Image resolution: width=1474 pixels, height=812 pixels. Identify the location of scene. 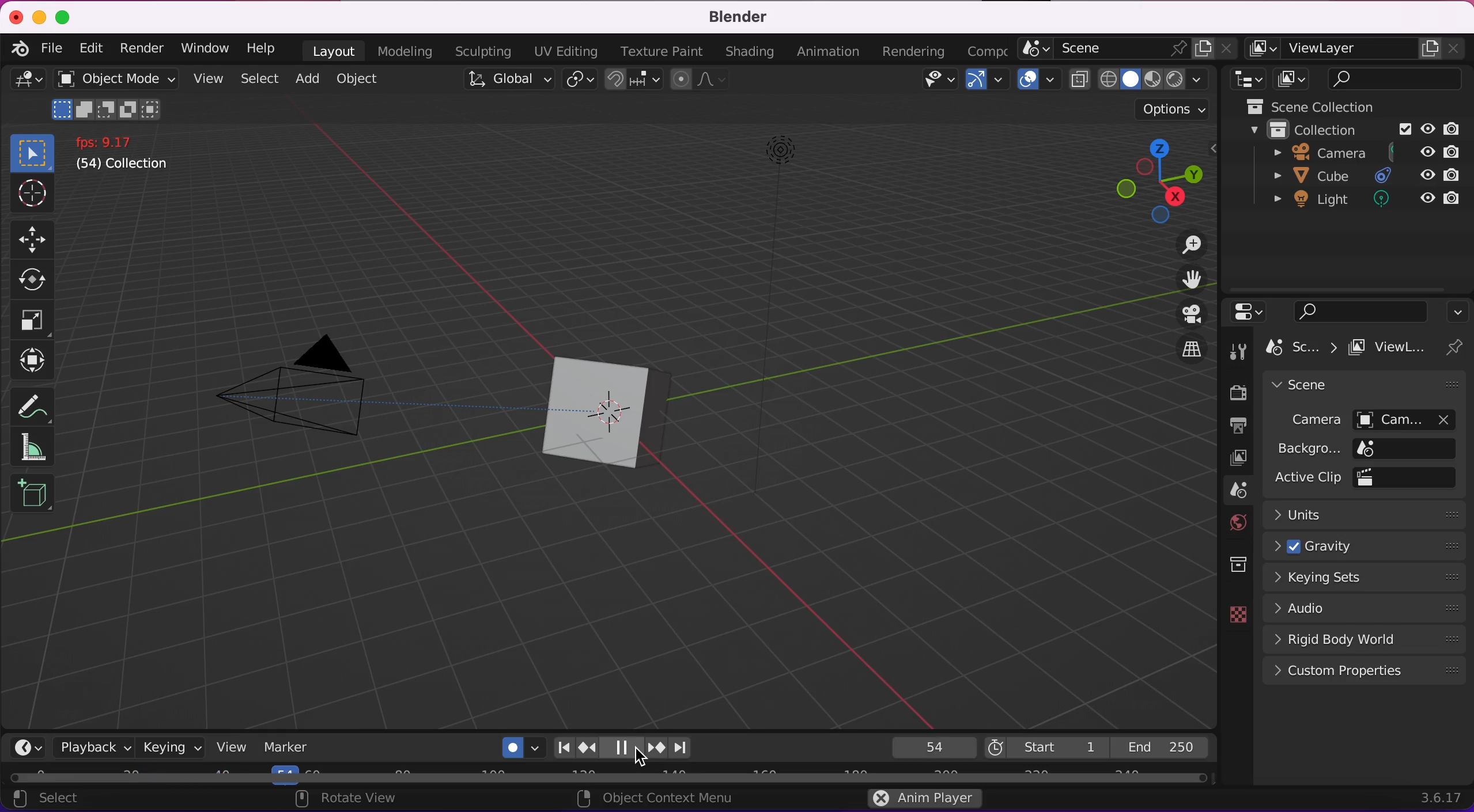
(1314, 386).